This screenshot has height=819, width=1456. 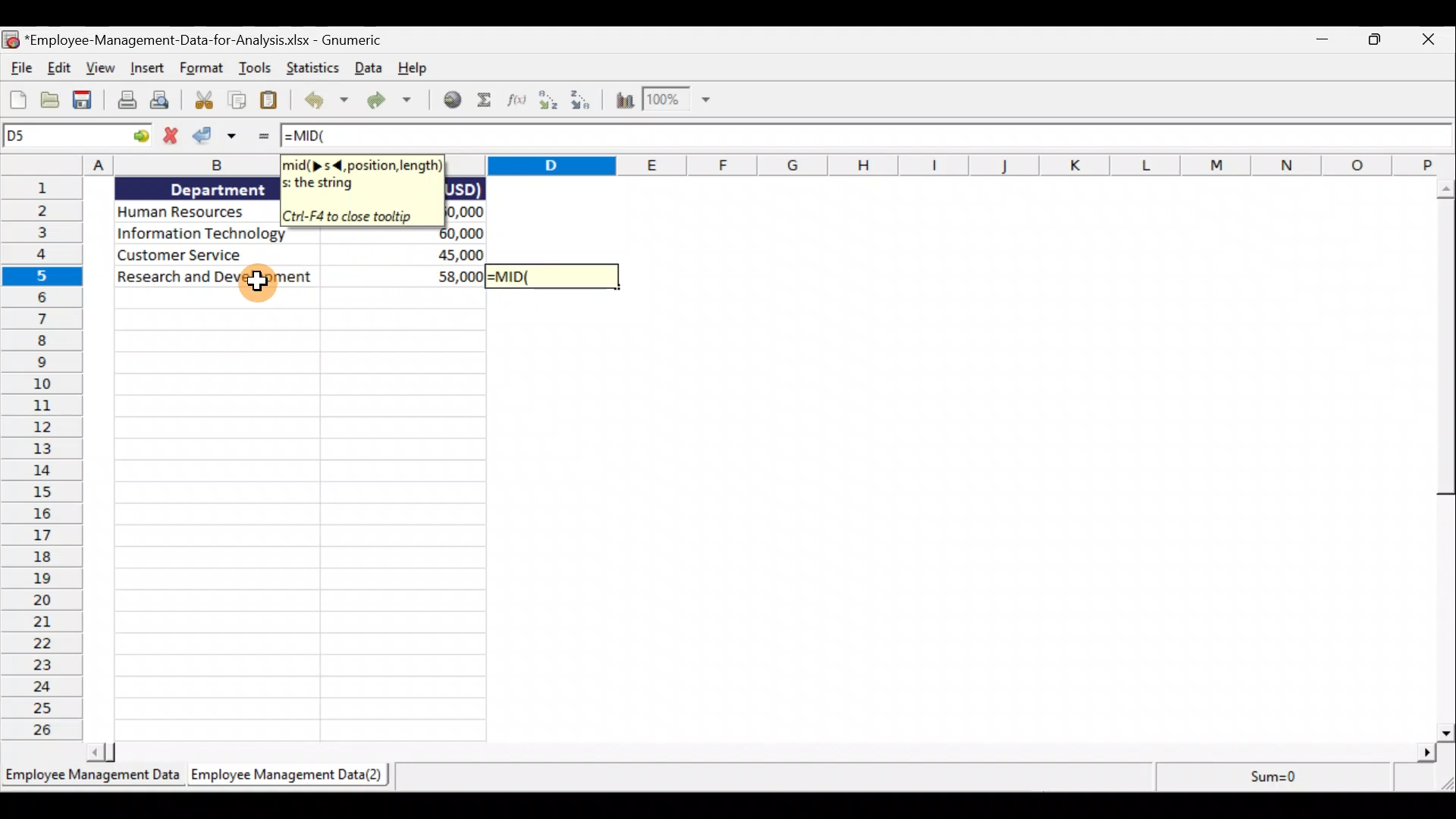 I want to click on Tools, so click(x=257, y=69).